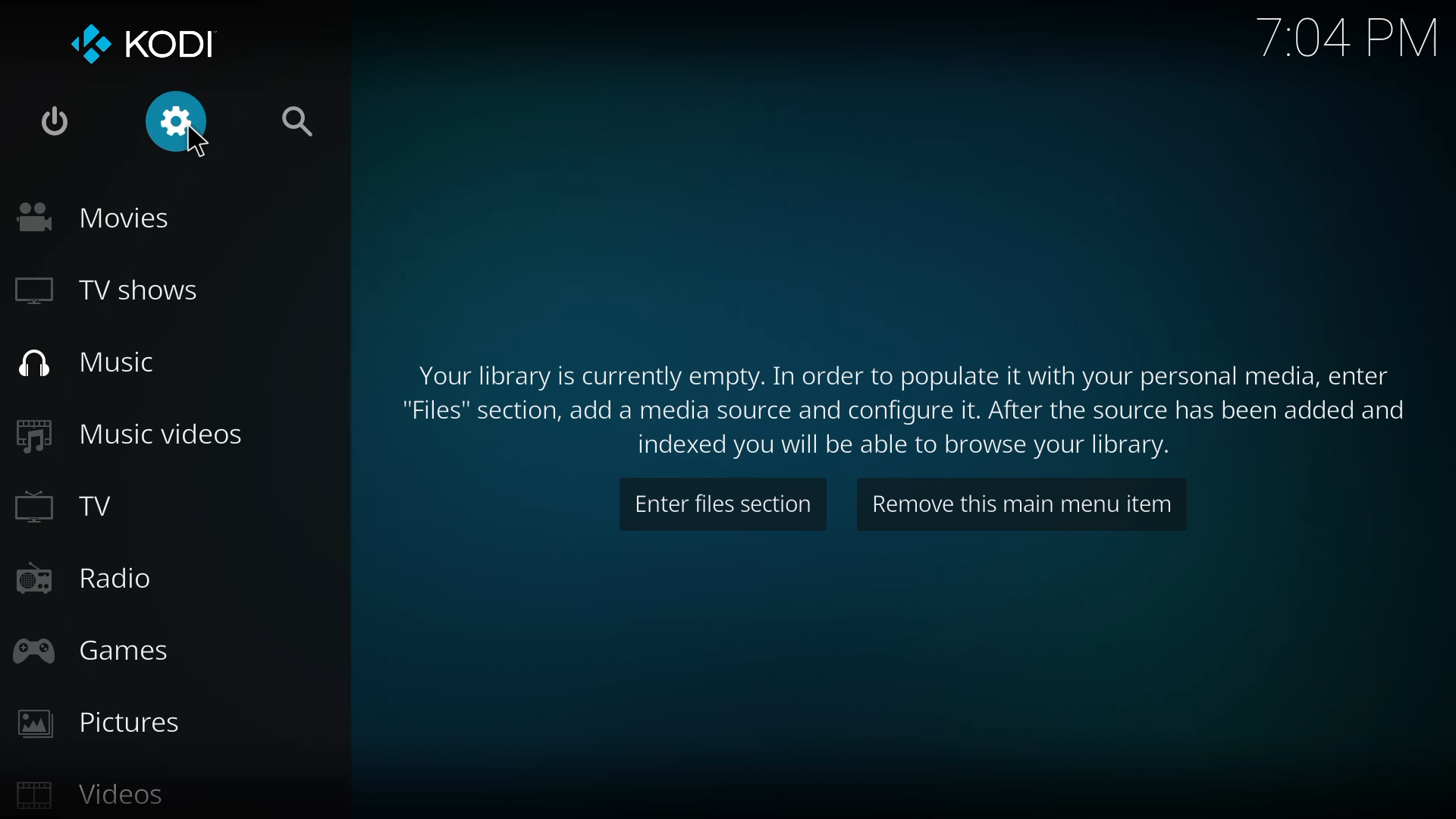  I want to click on games, so click(100, 650).